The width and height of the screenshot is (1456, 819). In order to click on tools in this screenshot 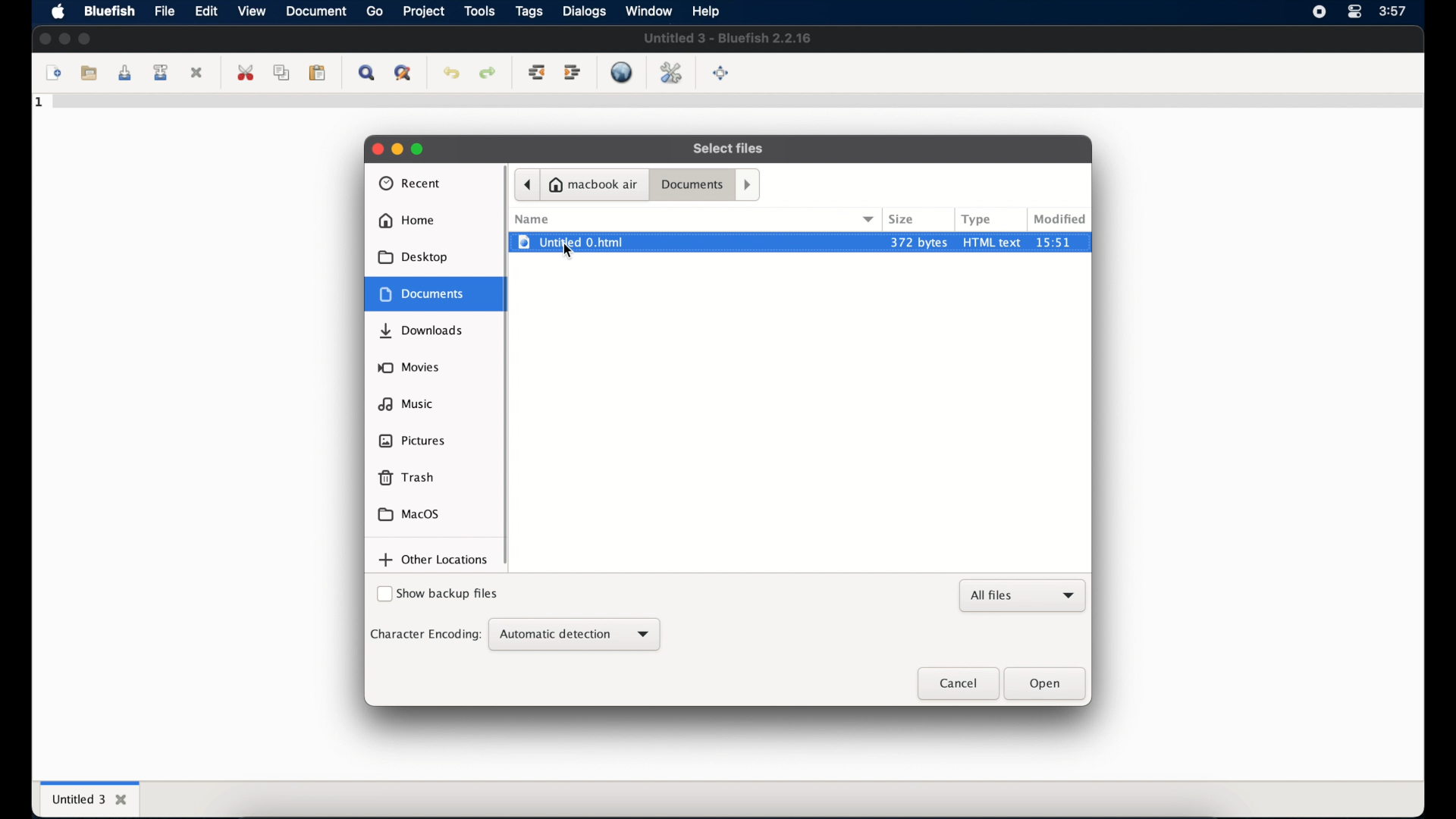, I will do `click(479, 11)`.